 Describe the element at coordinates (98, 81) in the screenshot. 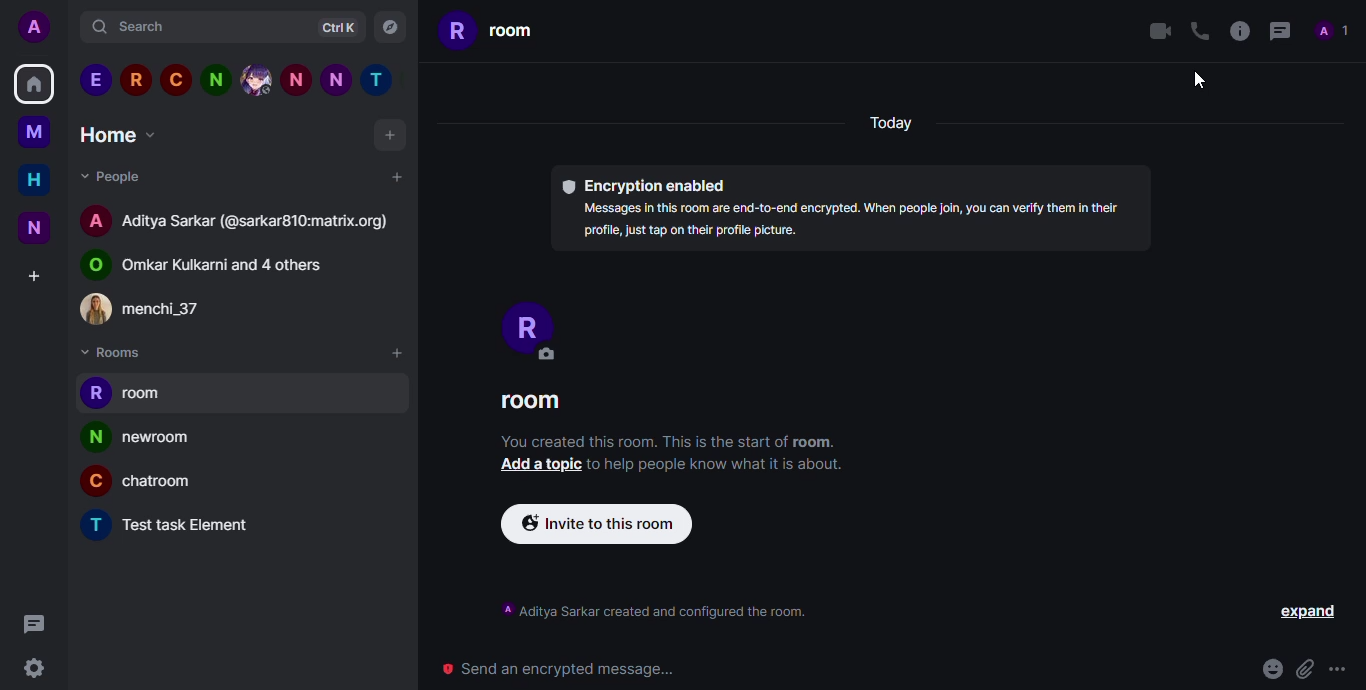

I see `contact shortcut` at that location.